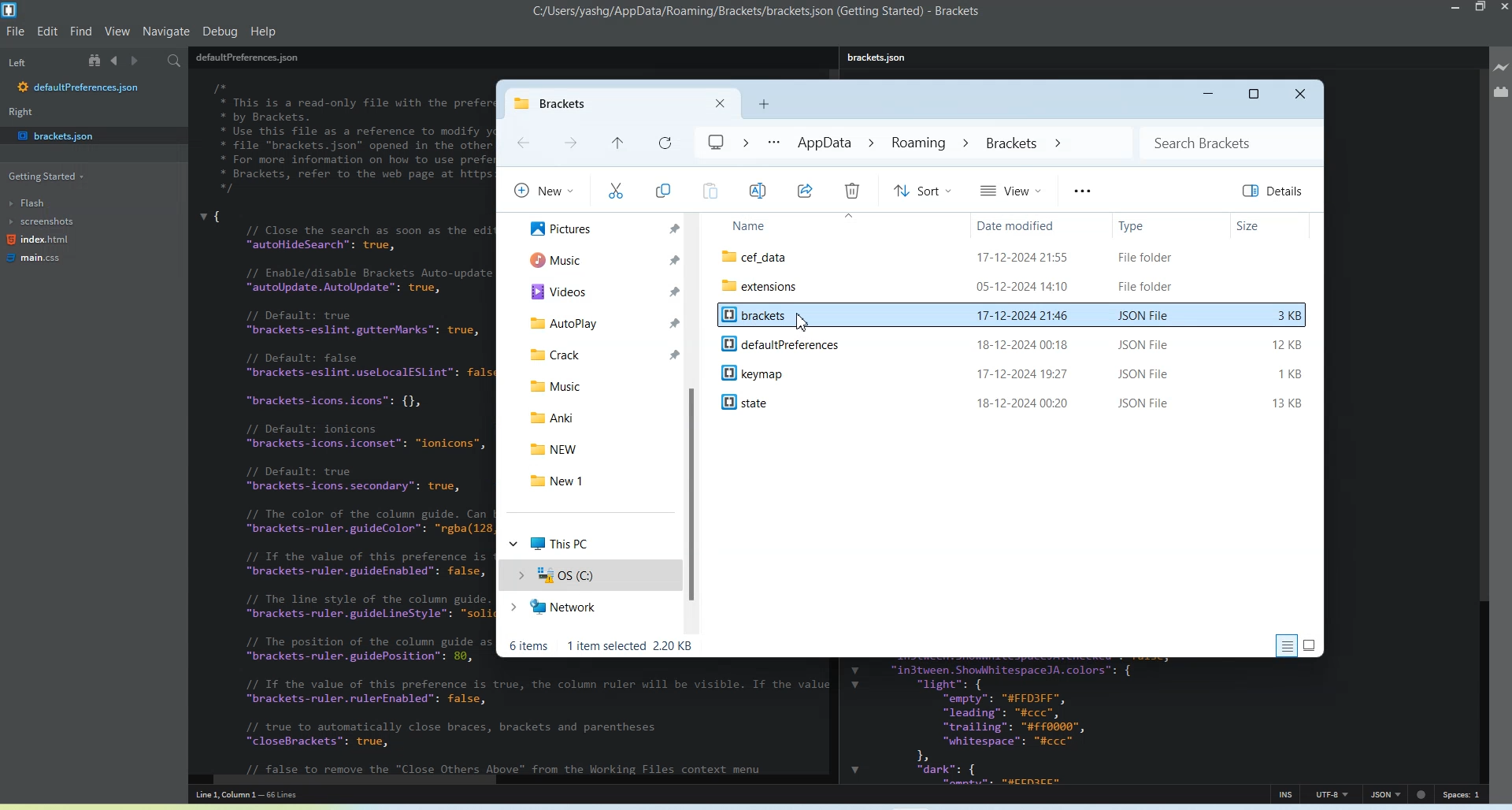 The height and width of the screenshot is (810, 1512). I want to click on JSON, so click(1385, 793).